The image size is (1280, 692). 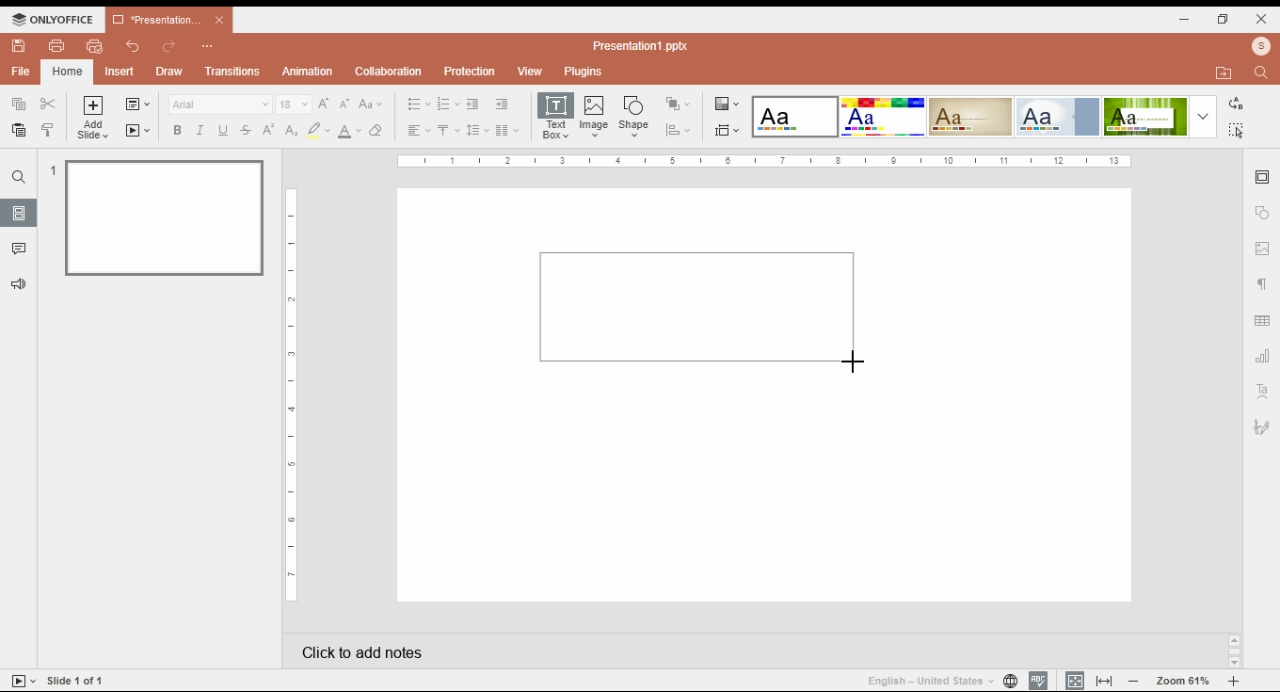 What do you see at coordinates (293, 104) in the screenshot?
I see `font size` at bounding box center [293, 104].